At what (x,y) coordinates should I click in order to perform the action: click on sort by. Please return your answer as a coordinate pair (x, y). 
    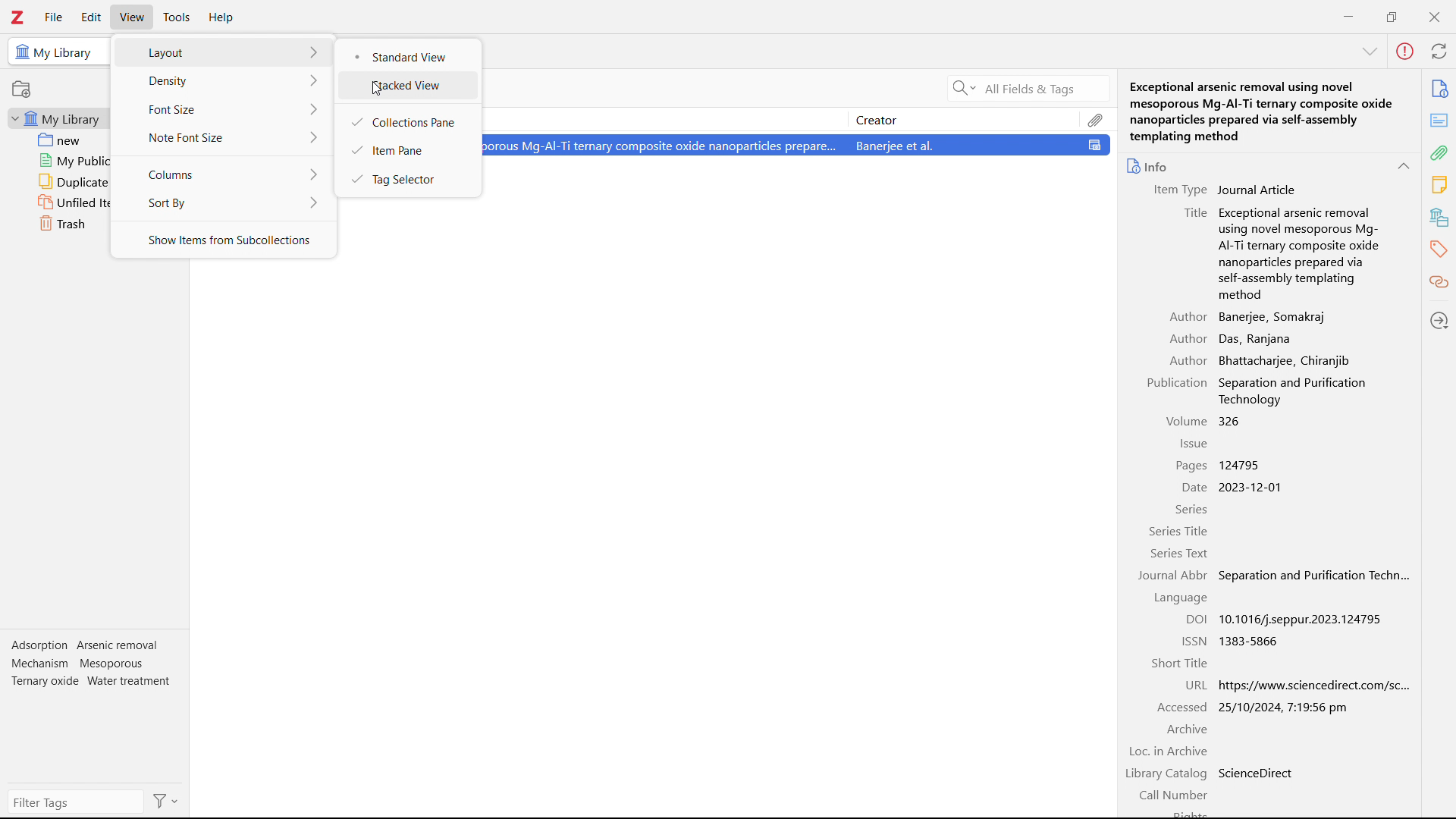
    Looking at the image, I should click on (223, 202).